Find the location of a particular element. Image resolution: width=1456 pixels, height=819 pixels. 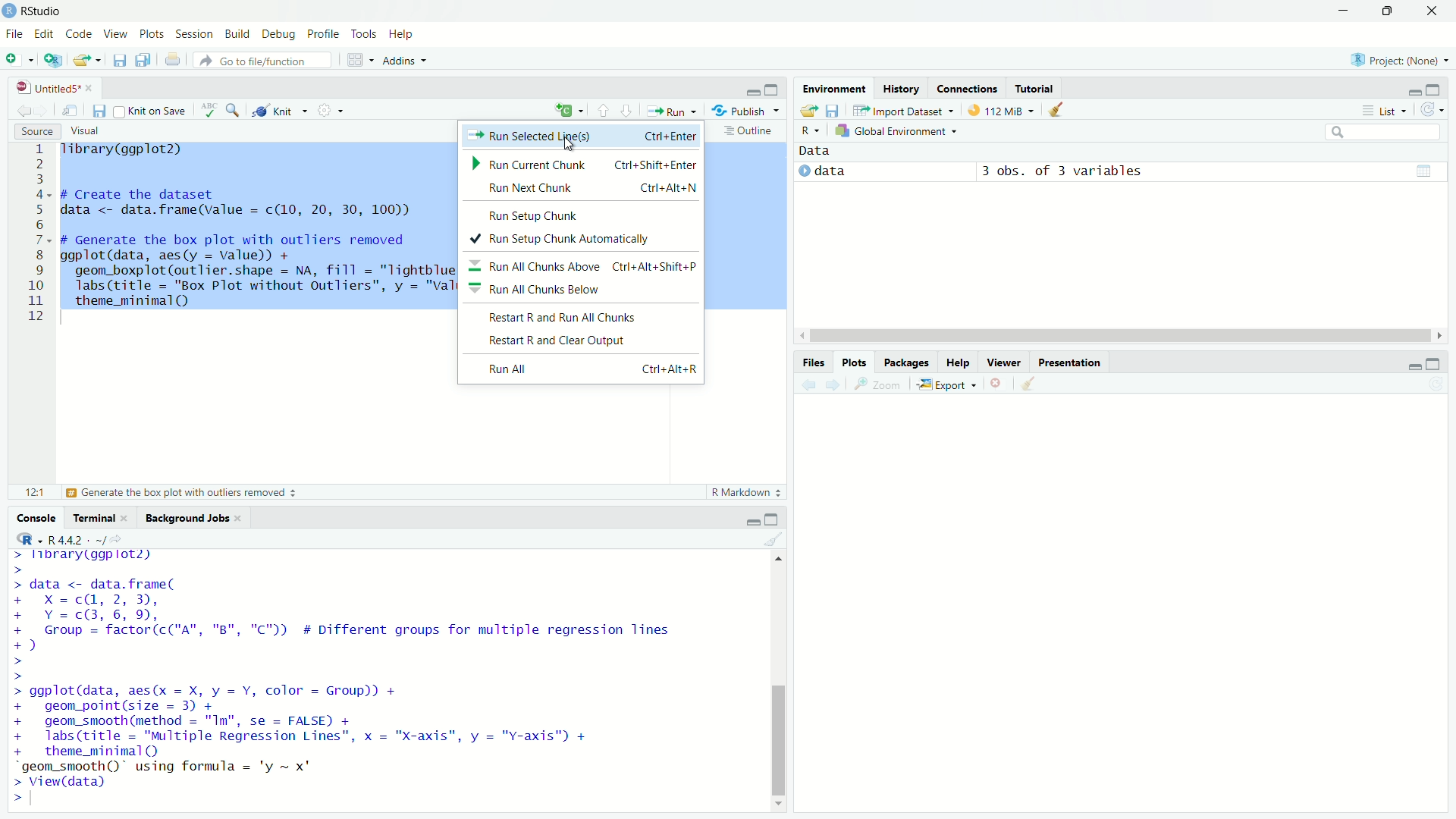

Restart R and Clear Output is located at coordinates (558, 340).